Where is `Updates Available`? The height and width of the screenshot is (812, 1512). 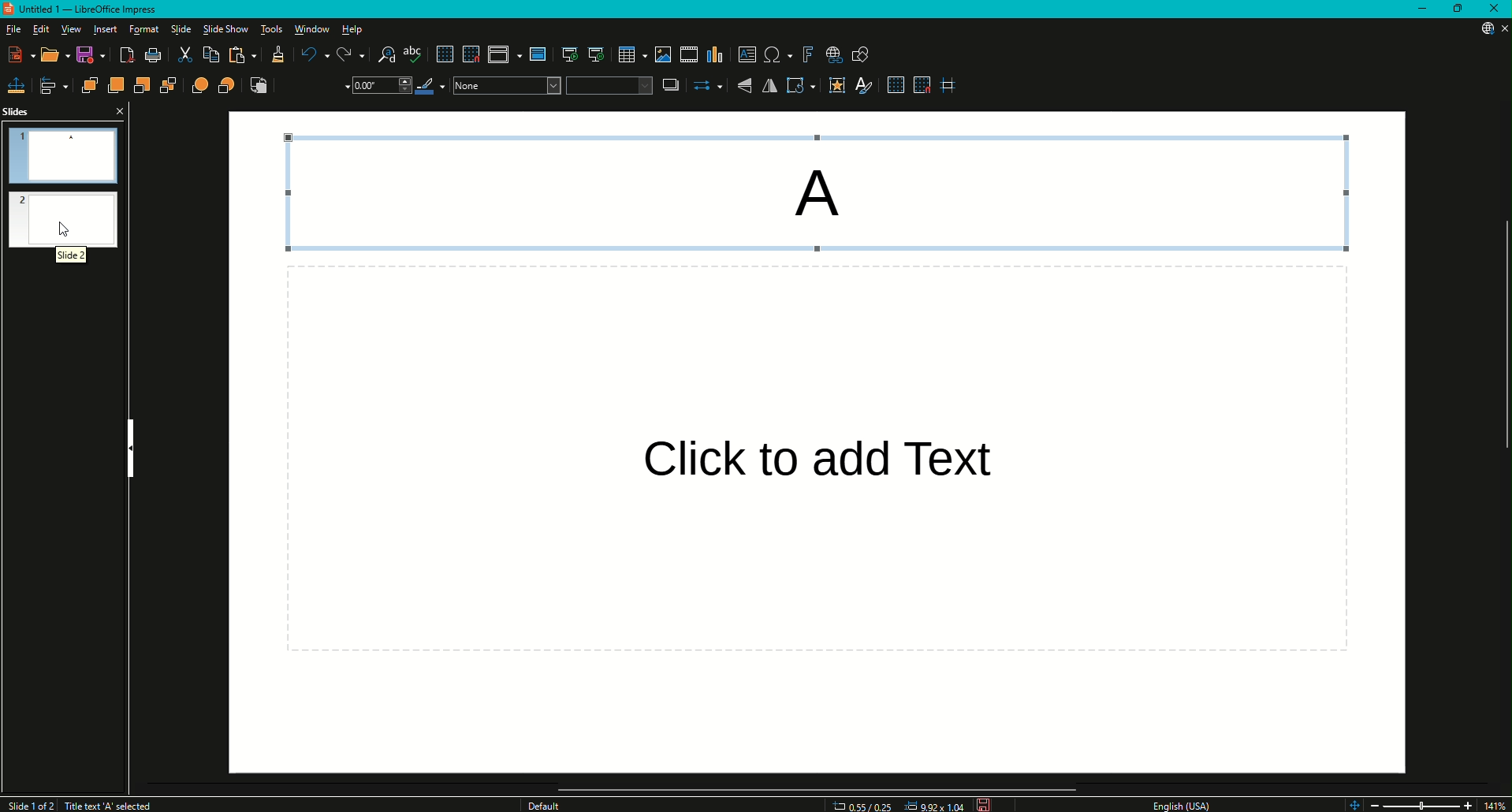
Updates Available is located at coordinates (1480, 28).